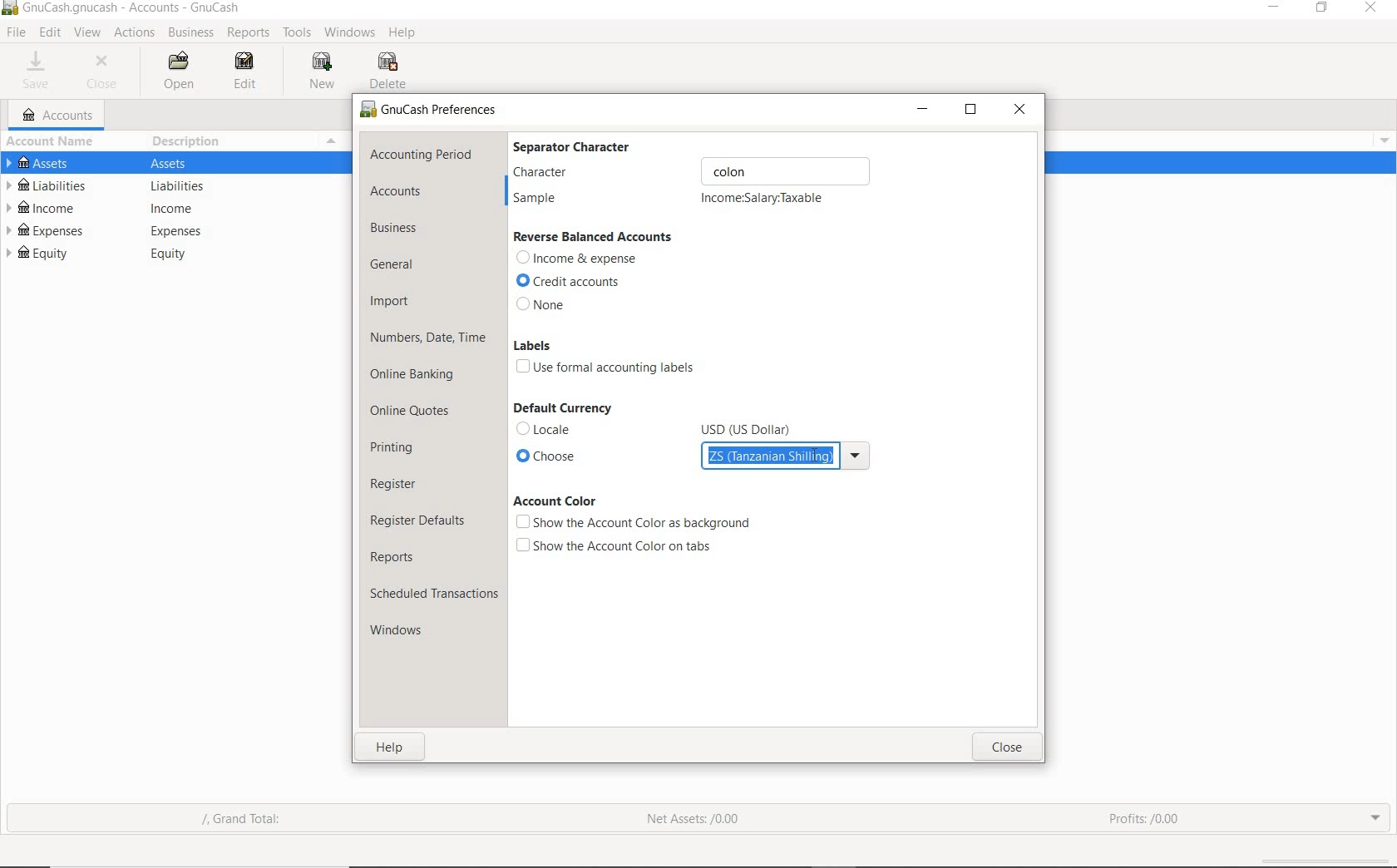 This screenshot has height=868, width=1397. Describe the element at coordinates (323, 72) in the screenshot. I see `NEW` at that location.